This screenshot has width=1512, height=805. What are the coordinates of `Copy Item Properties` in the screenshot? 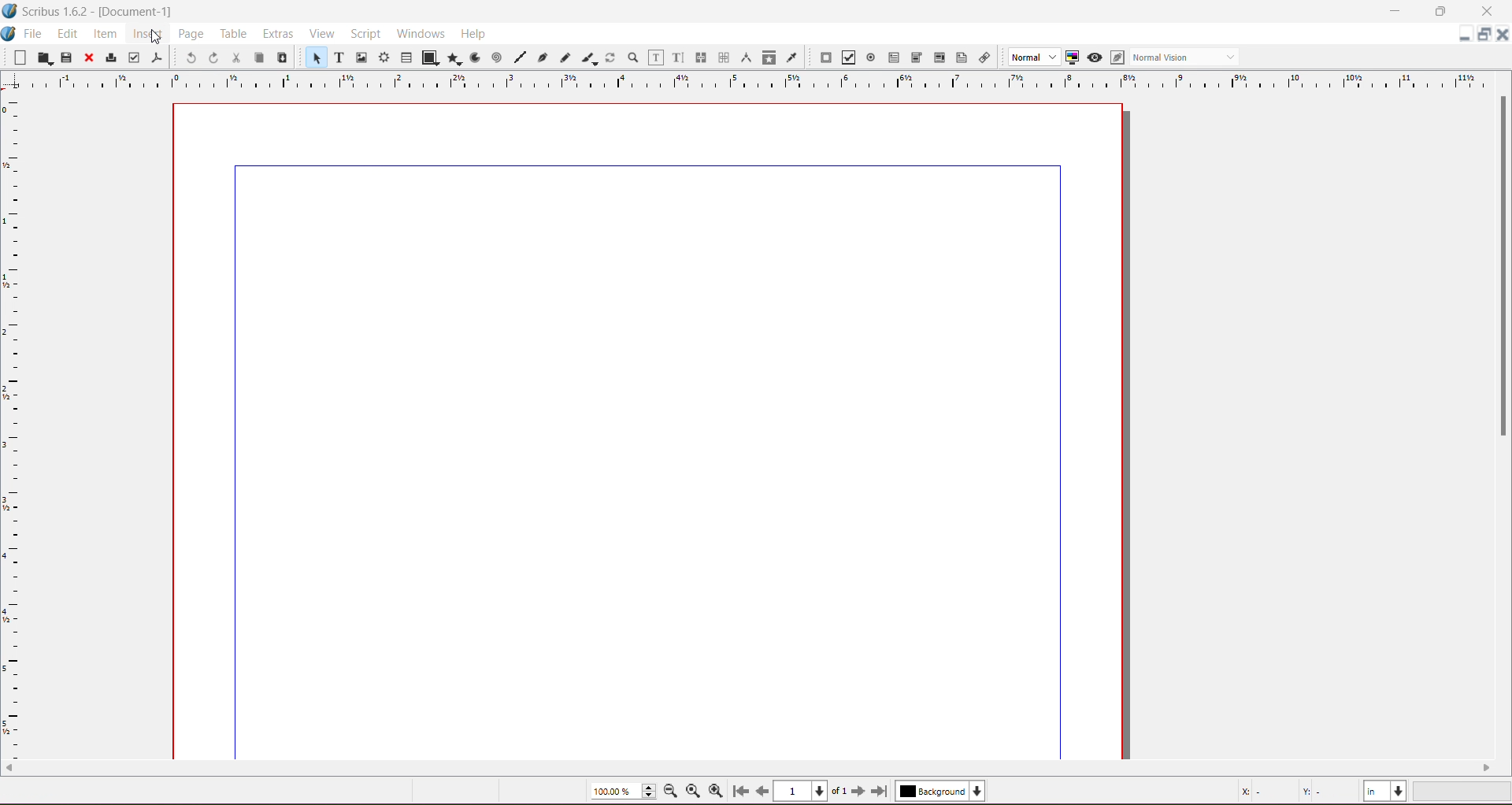 It's located at (769, 57).